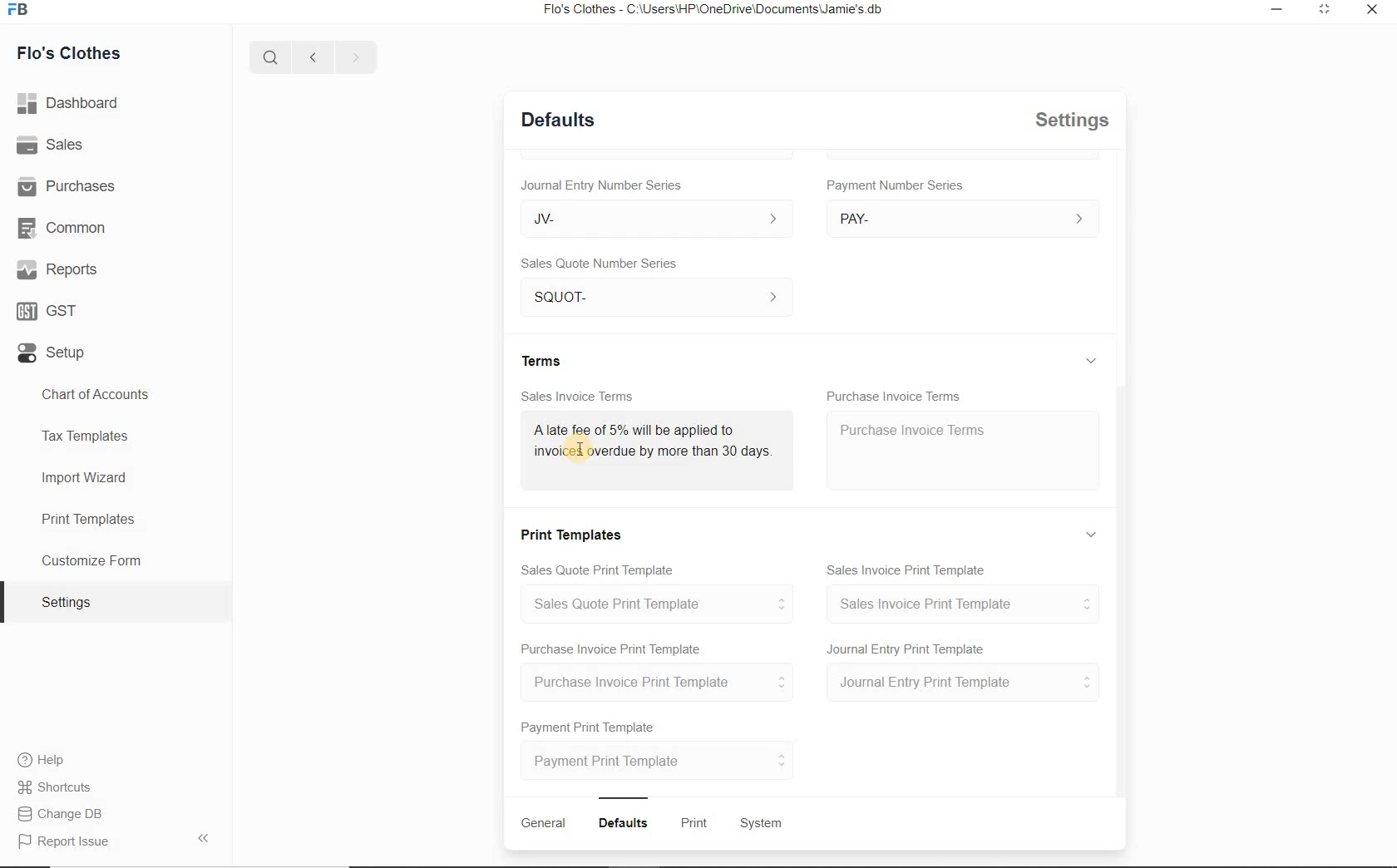 This screenshot has height=868, width=1397. I want to click on Arrow, so click(207, 836).